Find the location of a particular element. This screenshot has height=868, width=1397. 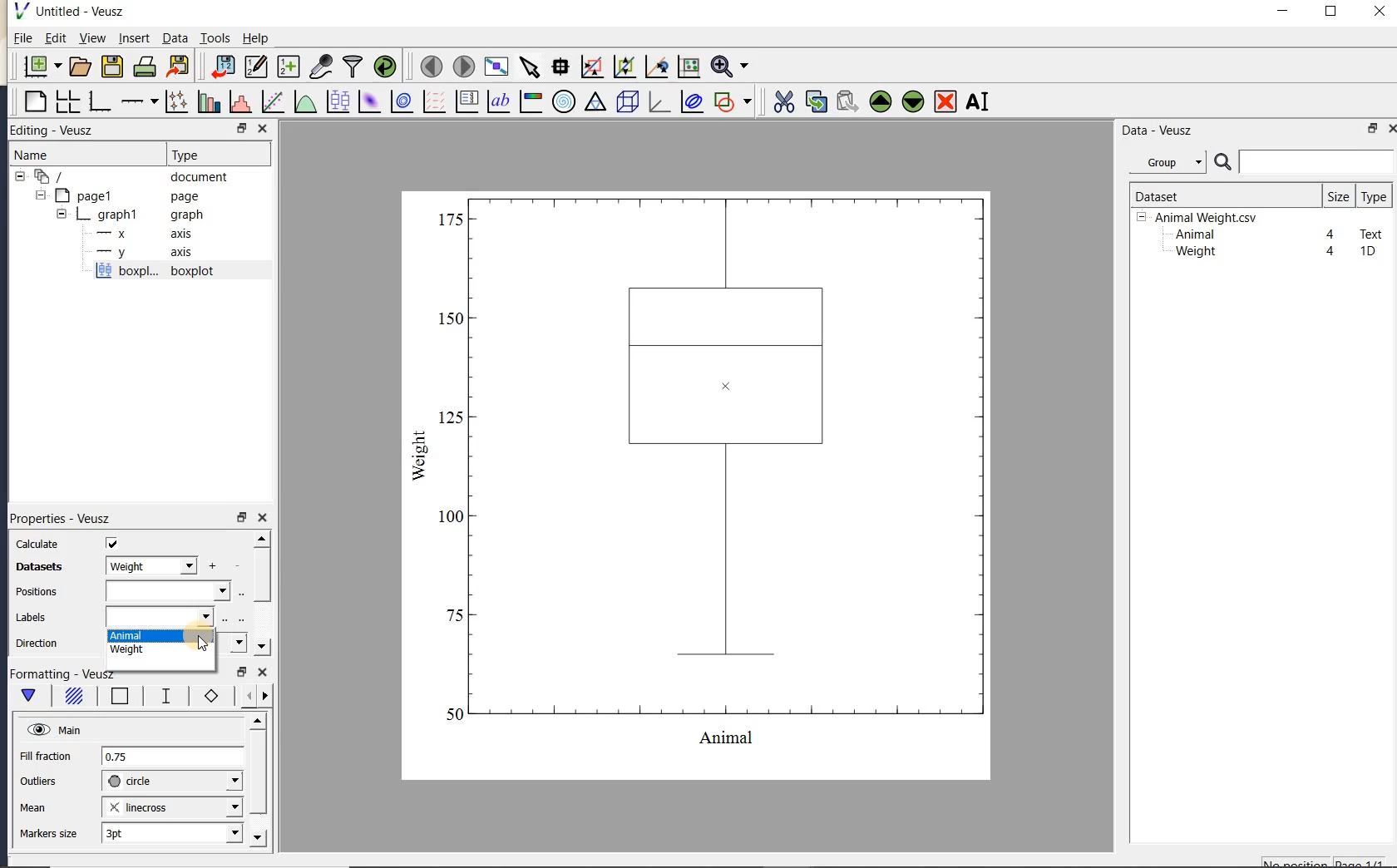

restore is located at coordinates (243, 673).